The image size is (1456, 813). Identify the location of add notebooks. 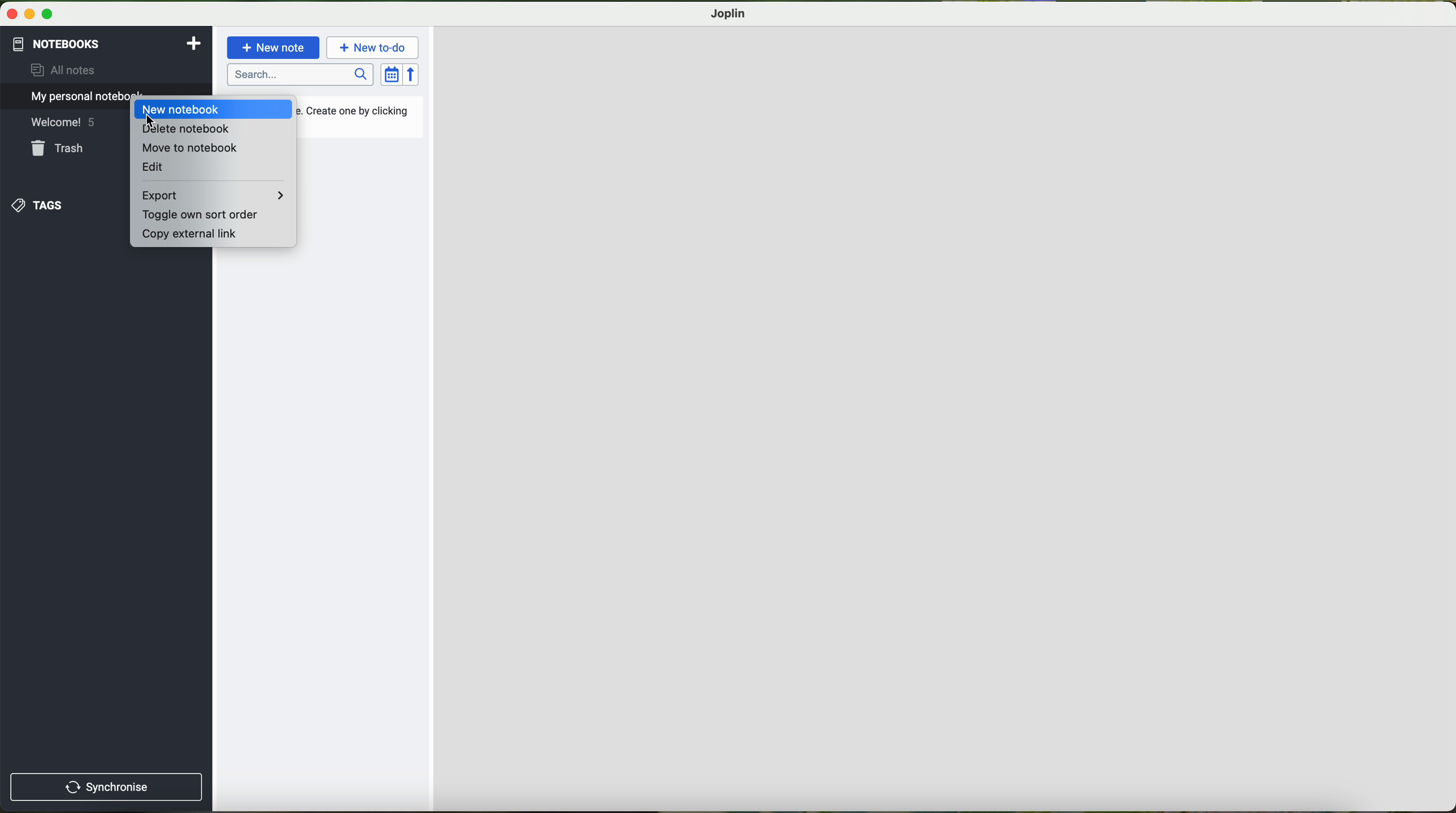
(192, 42).